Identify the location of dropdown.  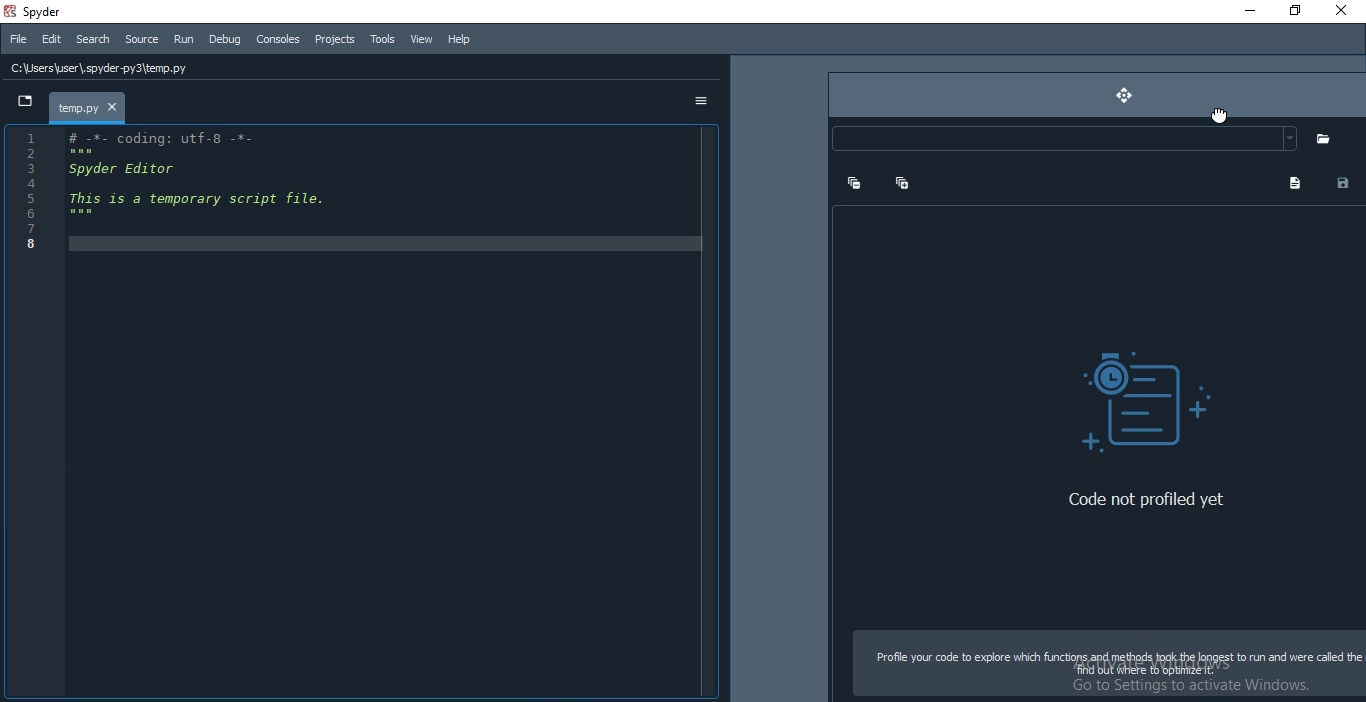
(23, 104).